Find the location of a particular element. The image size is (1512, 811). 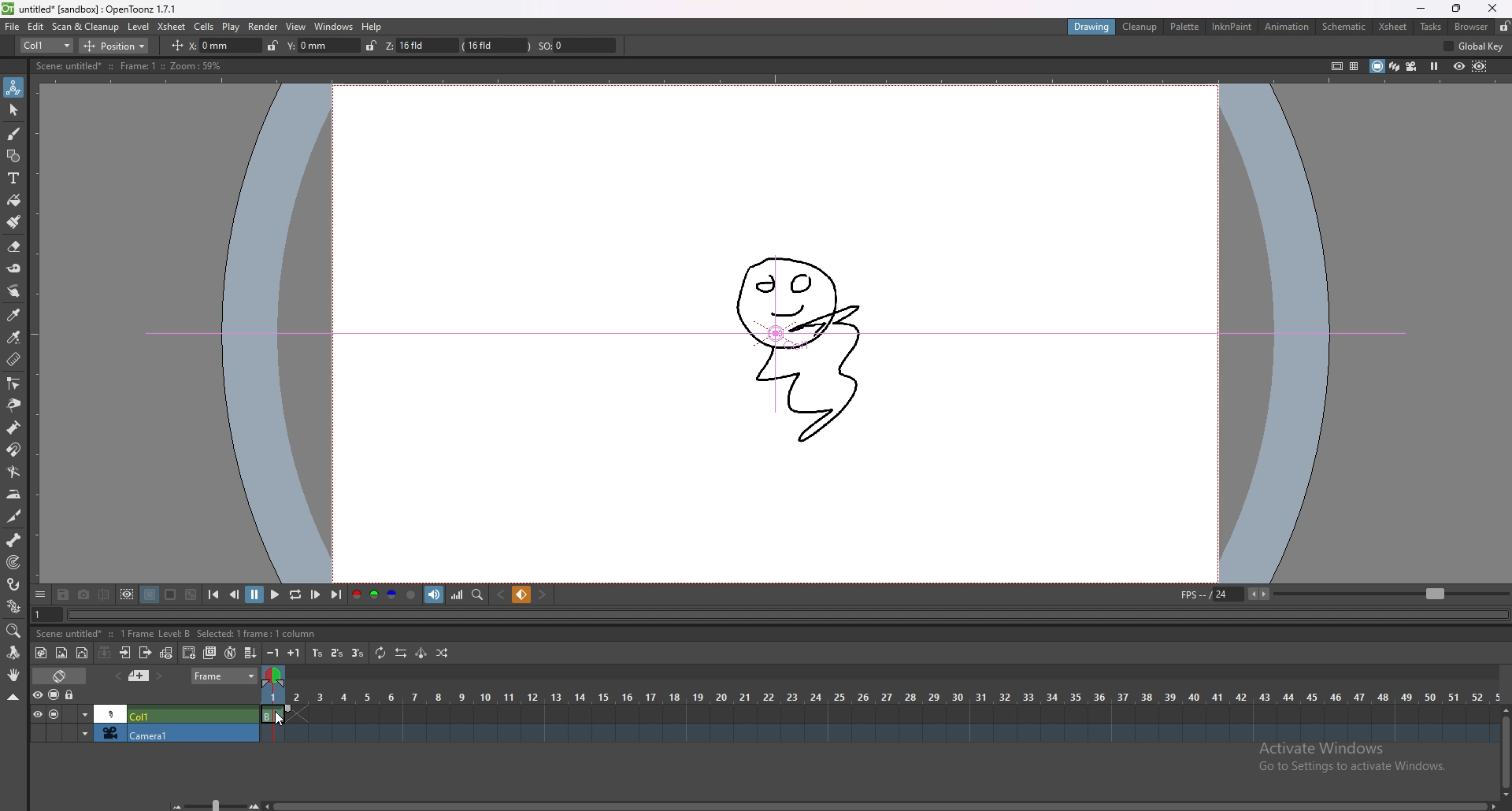

cutter is located at coordinates (14, 517).